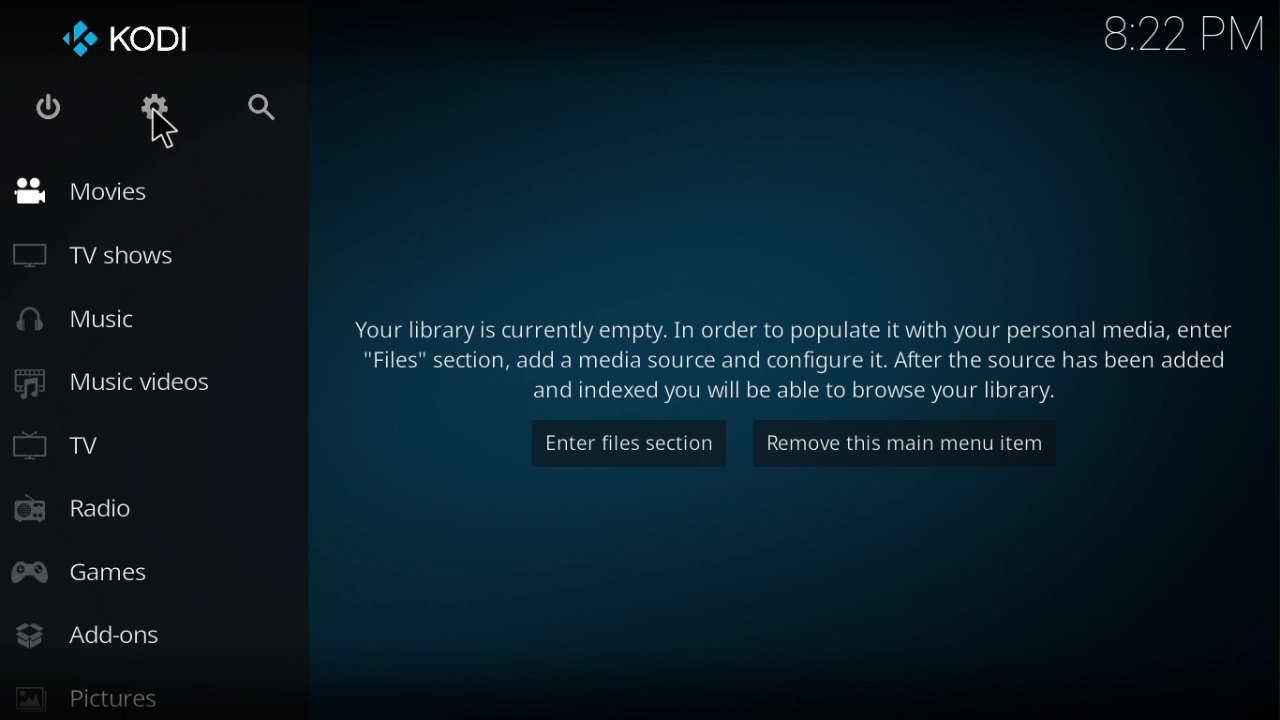 Image resolution: width=1280 pixels, height=720 pixels. I want to click on text, so click(807, 356).